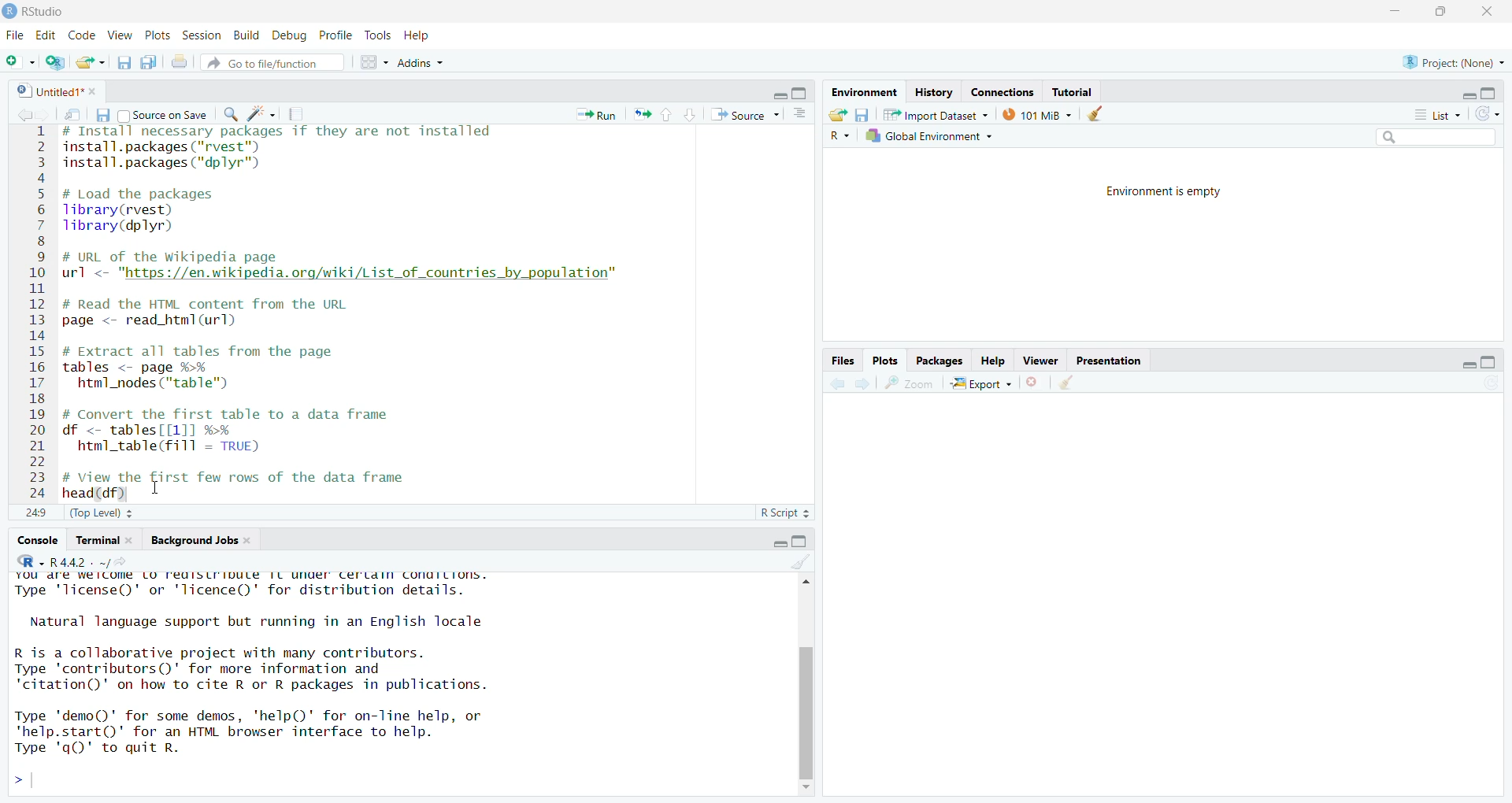 Image resolution: width=1512 pixels, height=803 pixels. What do you see at coordinates (26, 115) in the screenshot?
I see `back` at bounding box center [26, 115].